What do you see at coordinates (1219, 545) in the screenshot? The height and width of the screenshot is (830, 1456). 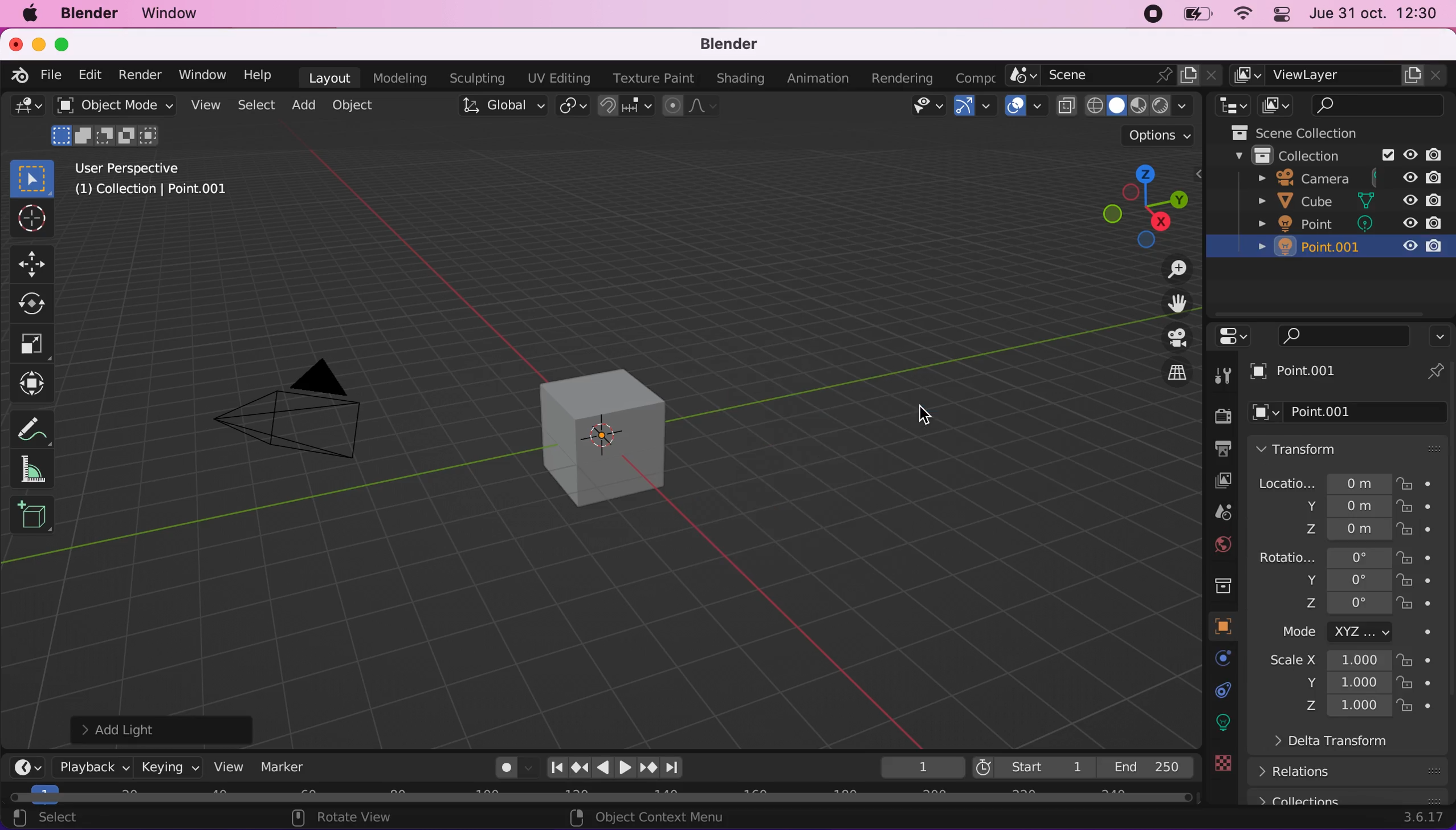 I see `world` at bounding box center [1219, 545].